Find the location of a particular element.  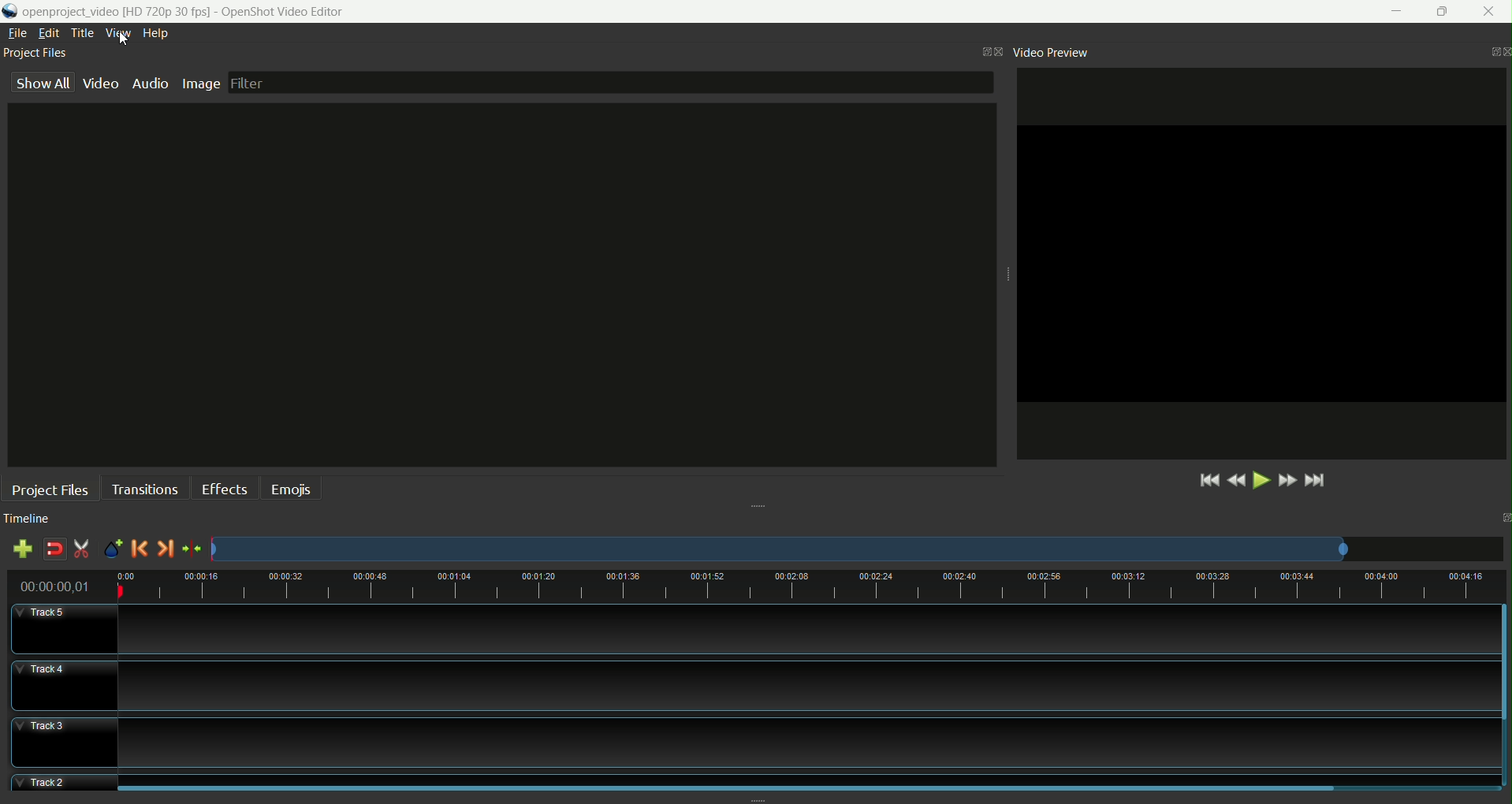

file is located at coordinates (18, 33).